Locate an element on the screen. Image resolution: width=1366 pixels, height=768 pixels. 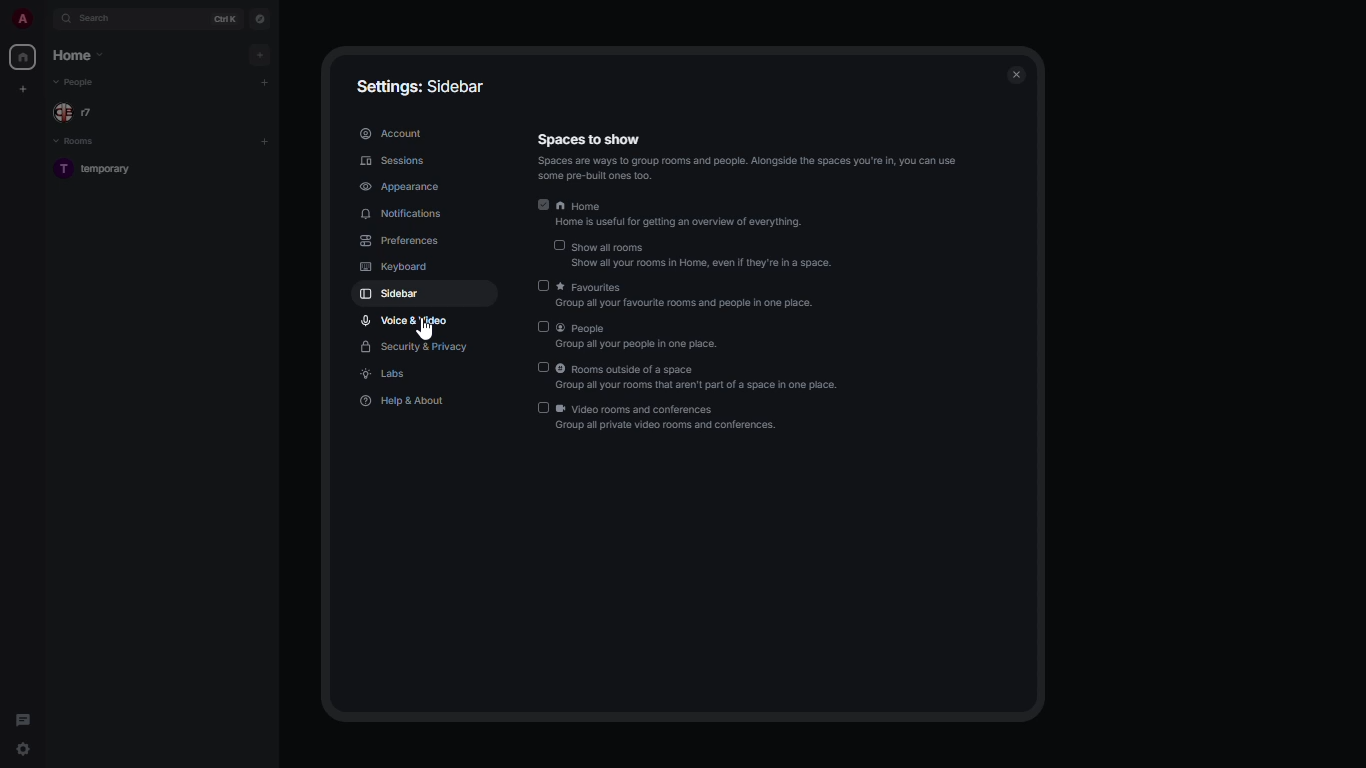
settings: sidebar is located at coordinates (419, 84).